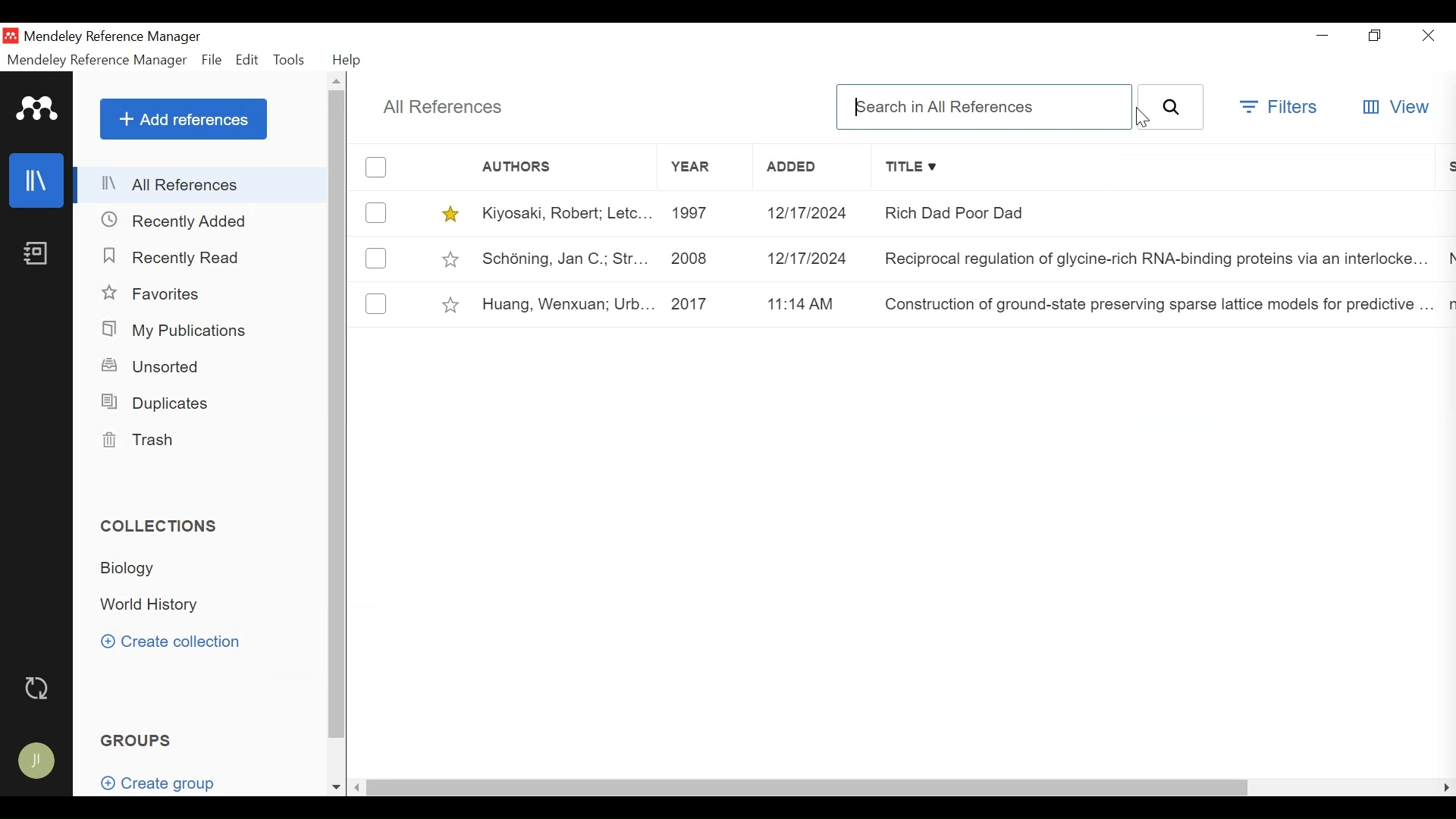 The height and width of the screenshot is (819, 1456). I want to click on All References, so click(444, 108).